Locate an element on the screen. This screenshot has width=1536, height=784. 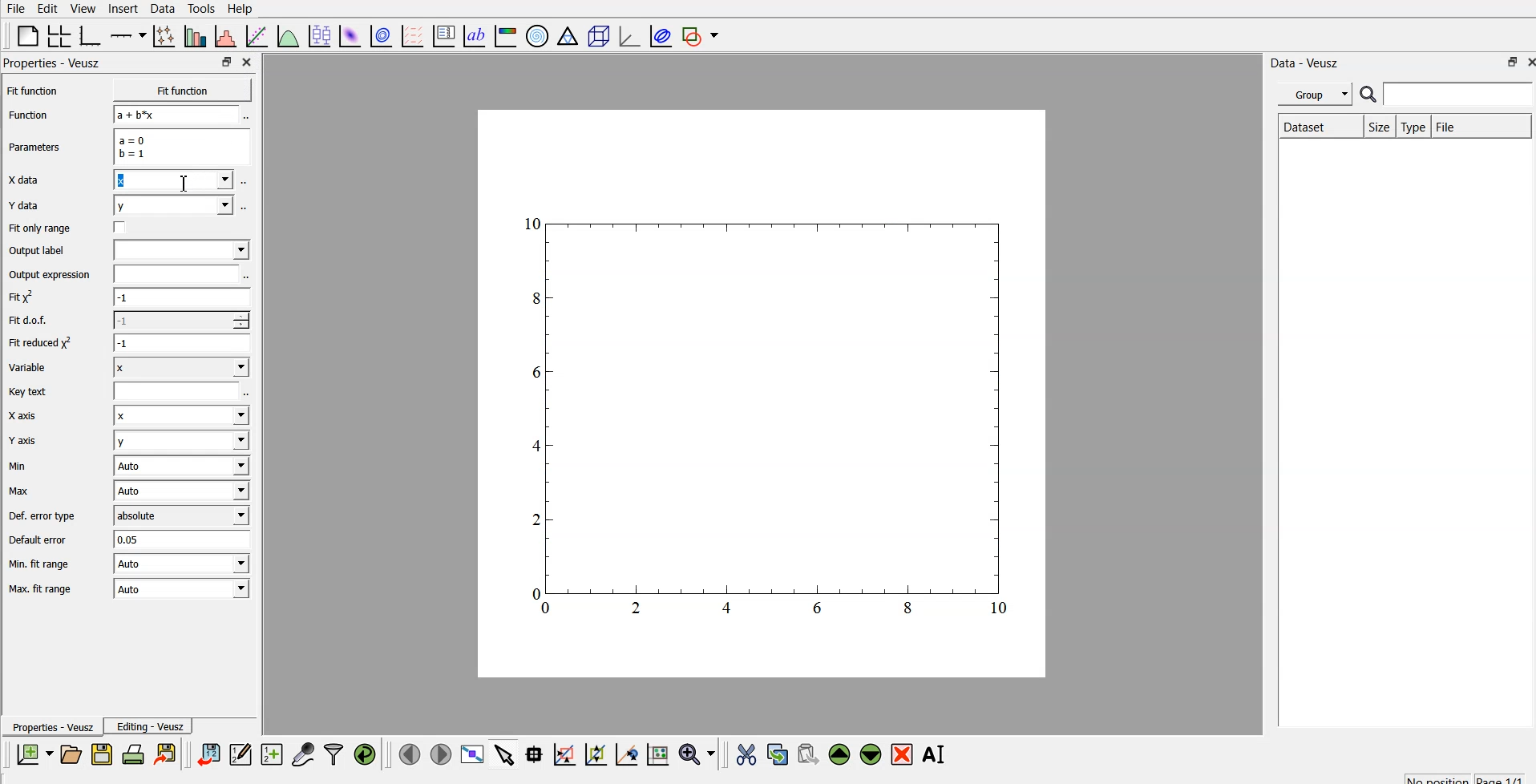
 is located at coordinates (183, 416).